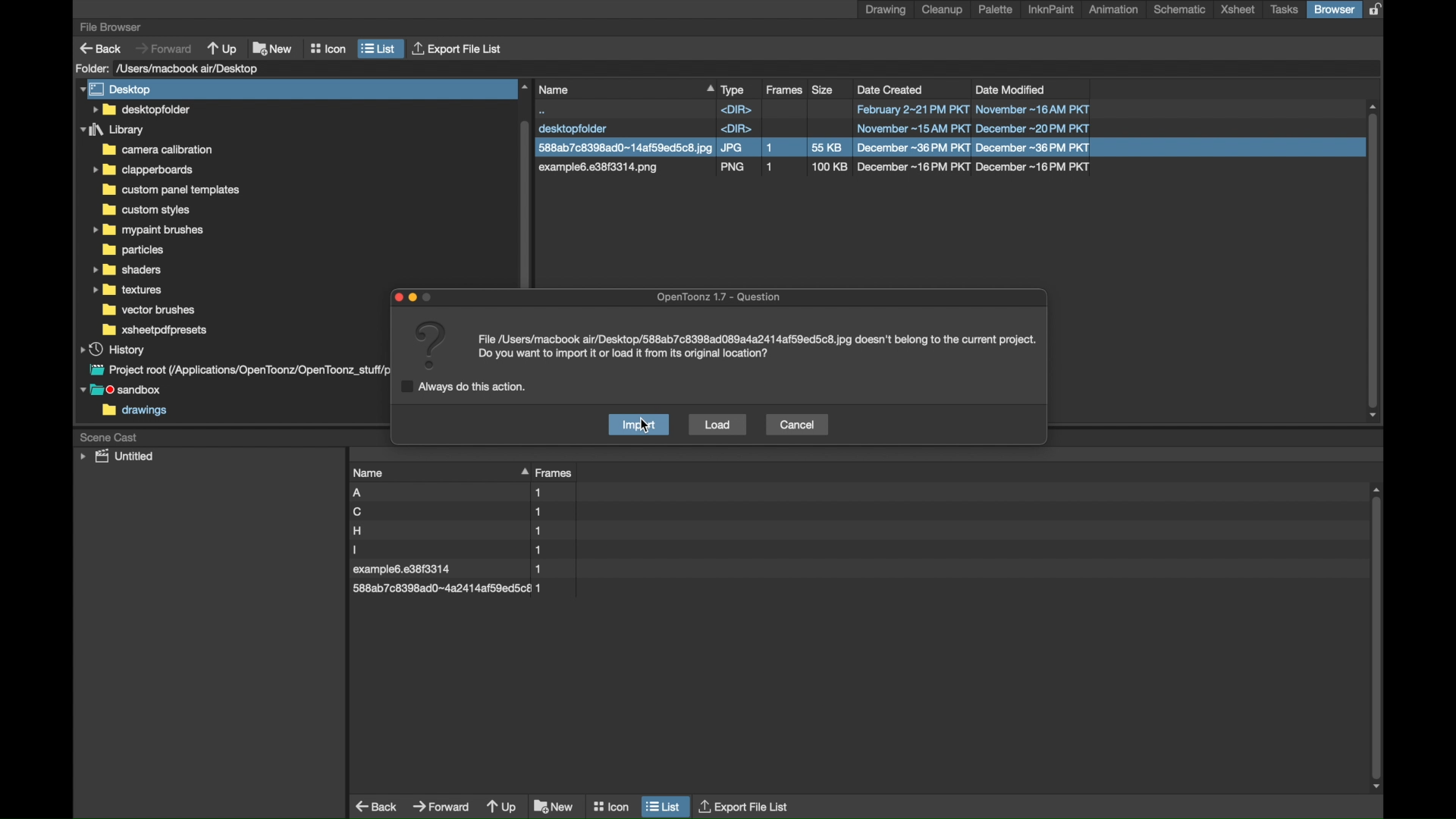  I want to click on folder, so click(92, 68).